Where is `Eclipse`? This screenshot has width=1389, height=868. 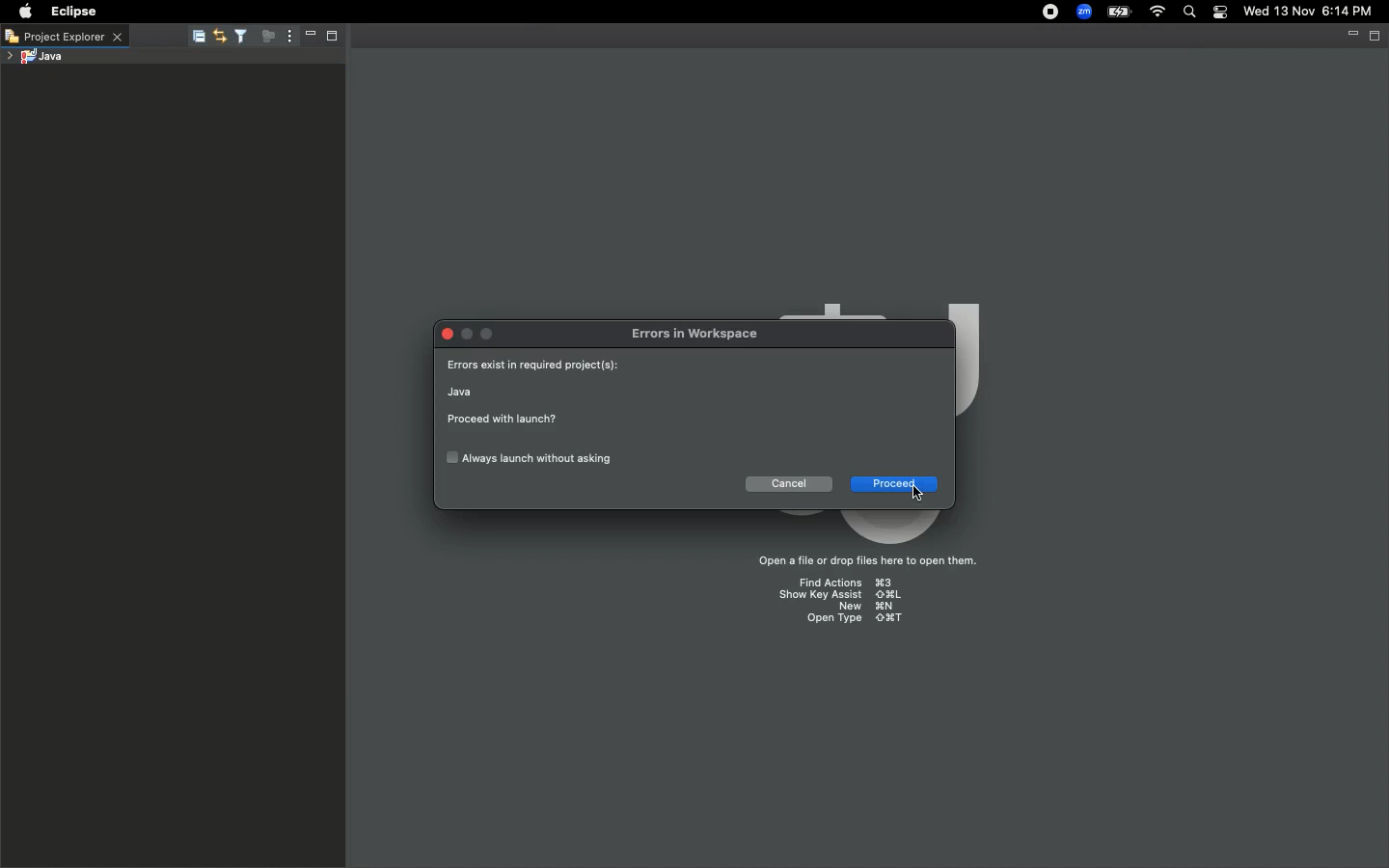
Eclipse is located at coordinates (71, 12).